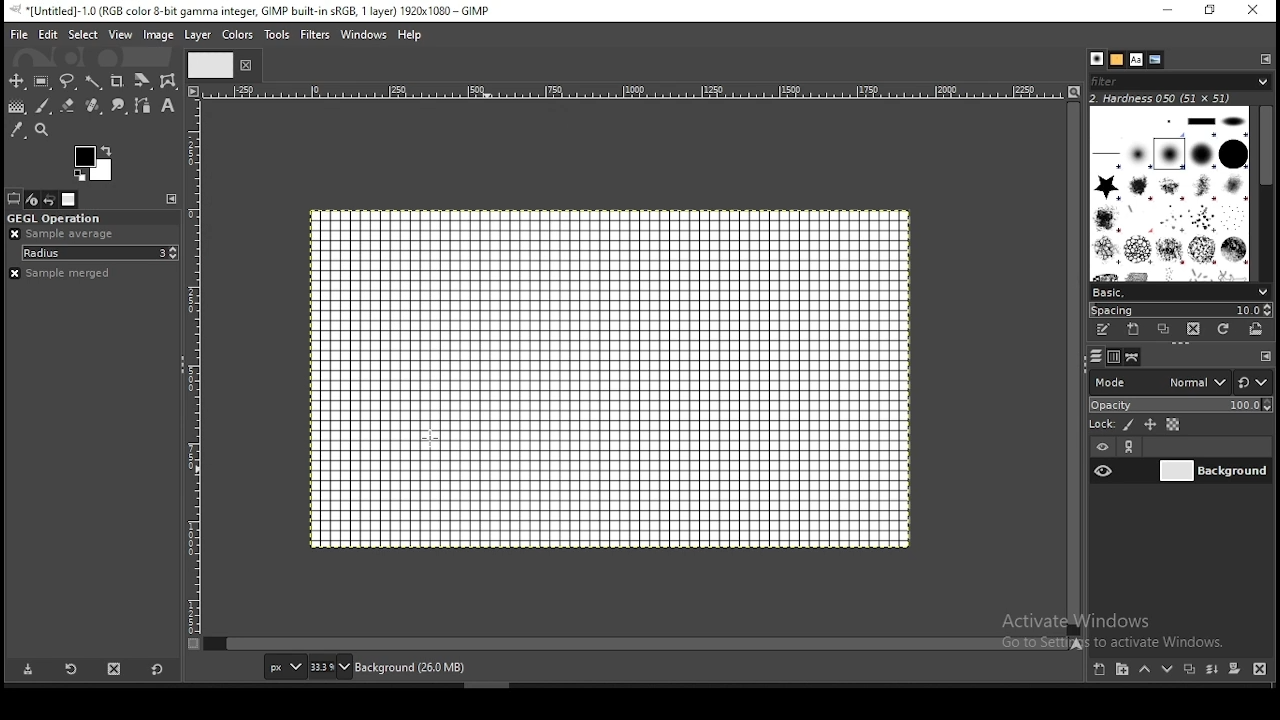  I want to click on *[untitled]-1.0 (rgb color 8-bit gamma integer, gimp built-in sRGB, 1 layer) 1920x1080 - gimp, so click(255, 11).